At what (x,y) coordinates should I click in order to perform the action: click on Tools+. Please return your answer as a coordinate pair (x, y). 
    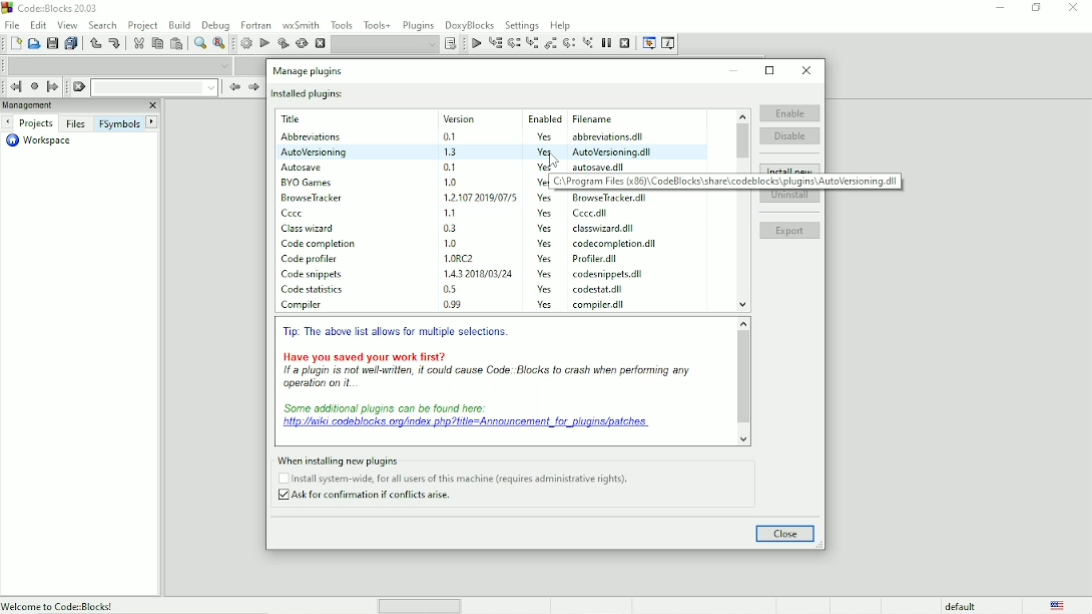
    Looking at the image, I should click on (377, 24).